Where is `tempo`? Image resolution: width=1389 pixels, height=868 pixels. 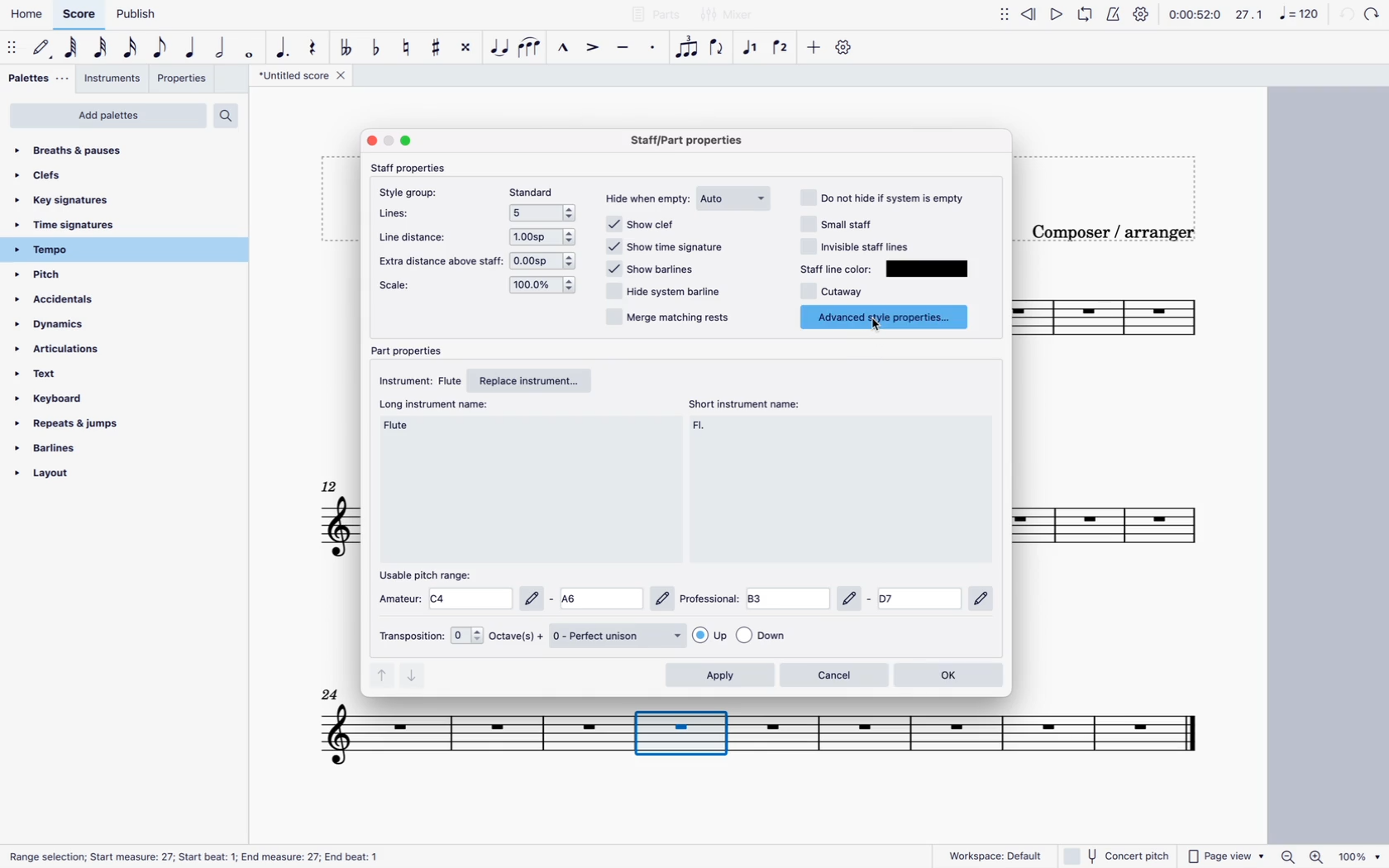
tempo is located at coordinates (105, 251).